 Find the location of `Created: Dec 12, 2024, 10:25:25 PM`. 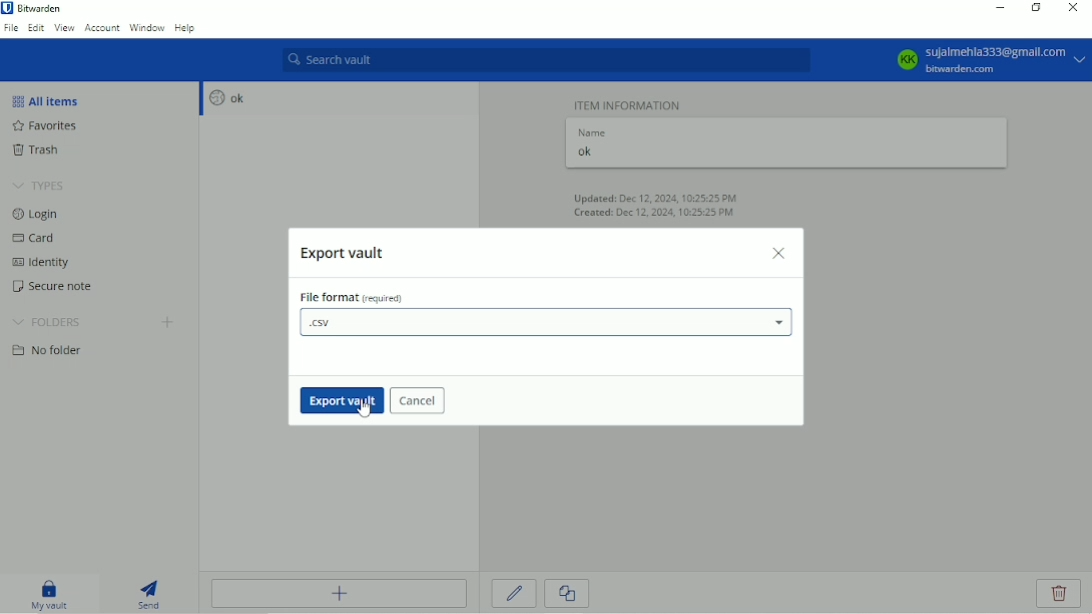

Created: Dec 12, 2024, 10:25:25 PM is located at coordinates (653, 214).